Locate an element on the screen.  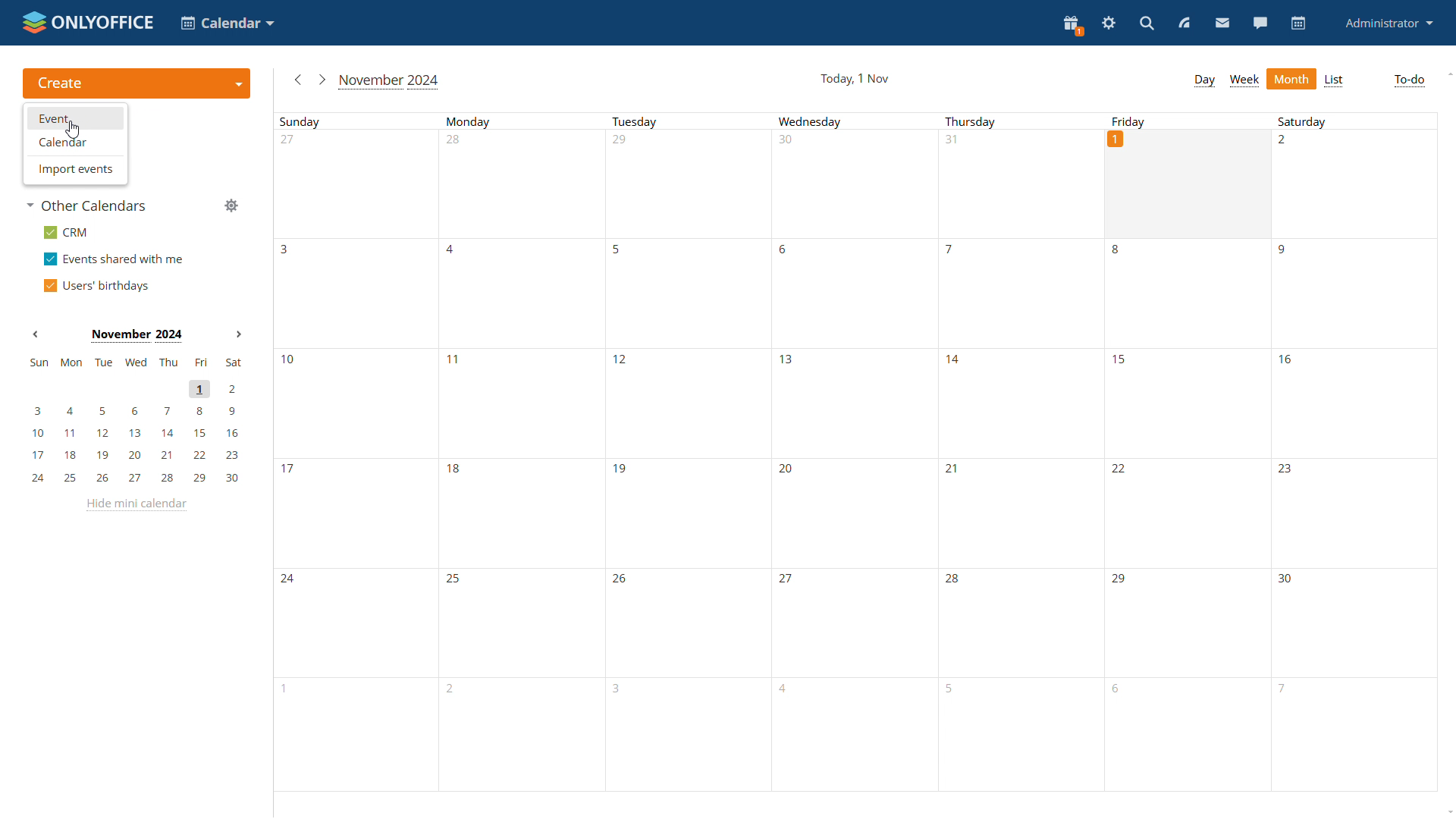
mini calendar is located at coordinates (134, 420).